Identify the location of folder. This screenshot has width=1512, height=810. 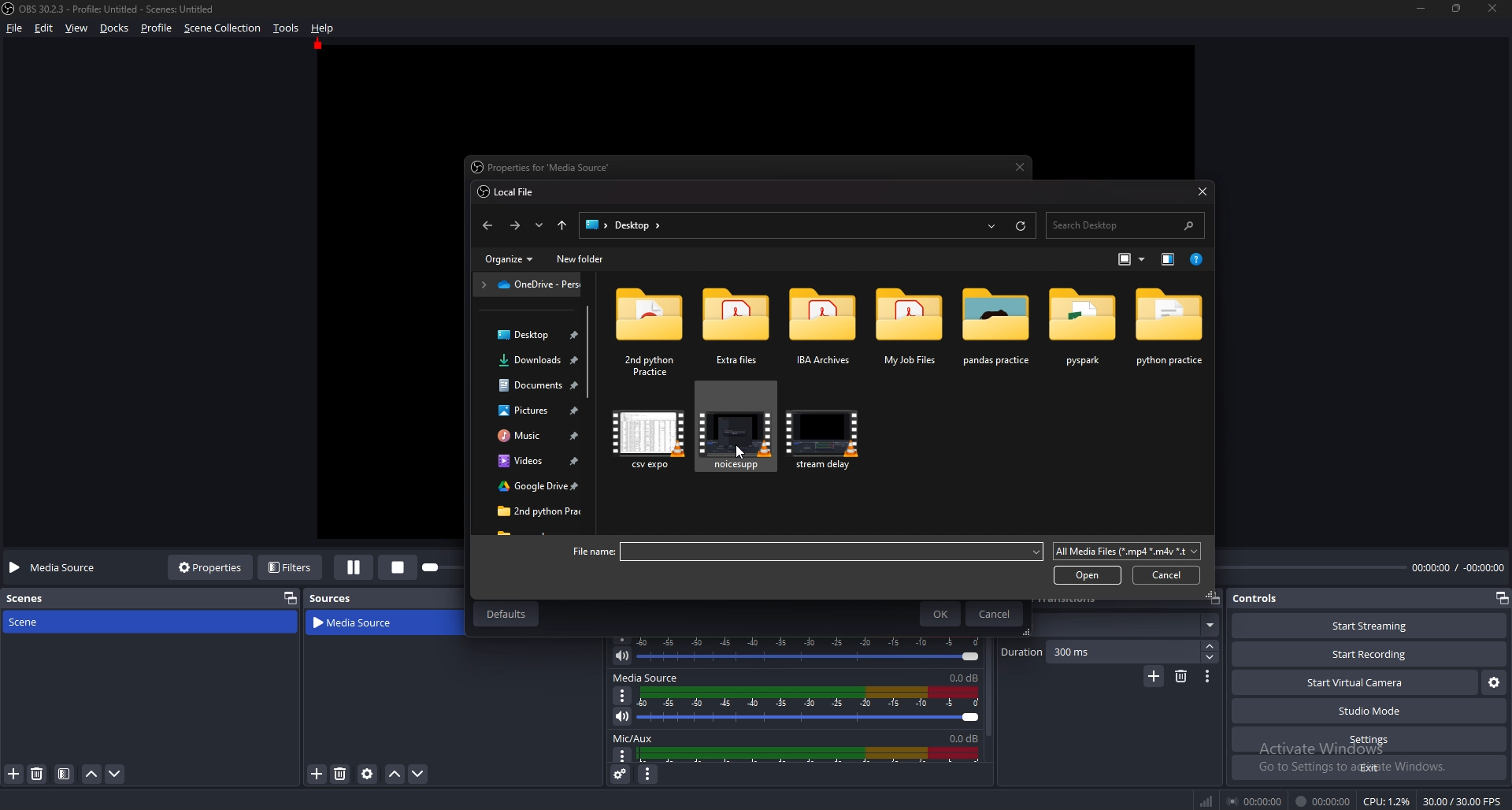
(530, 489).